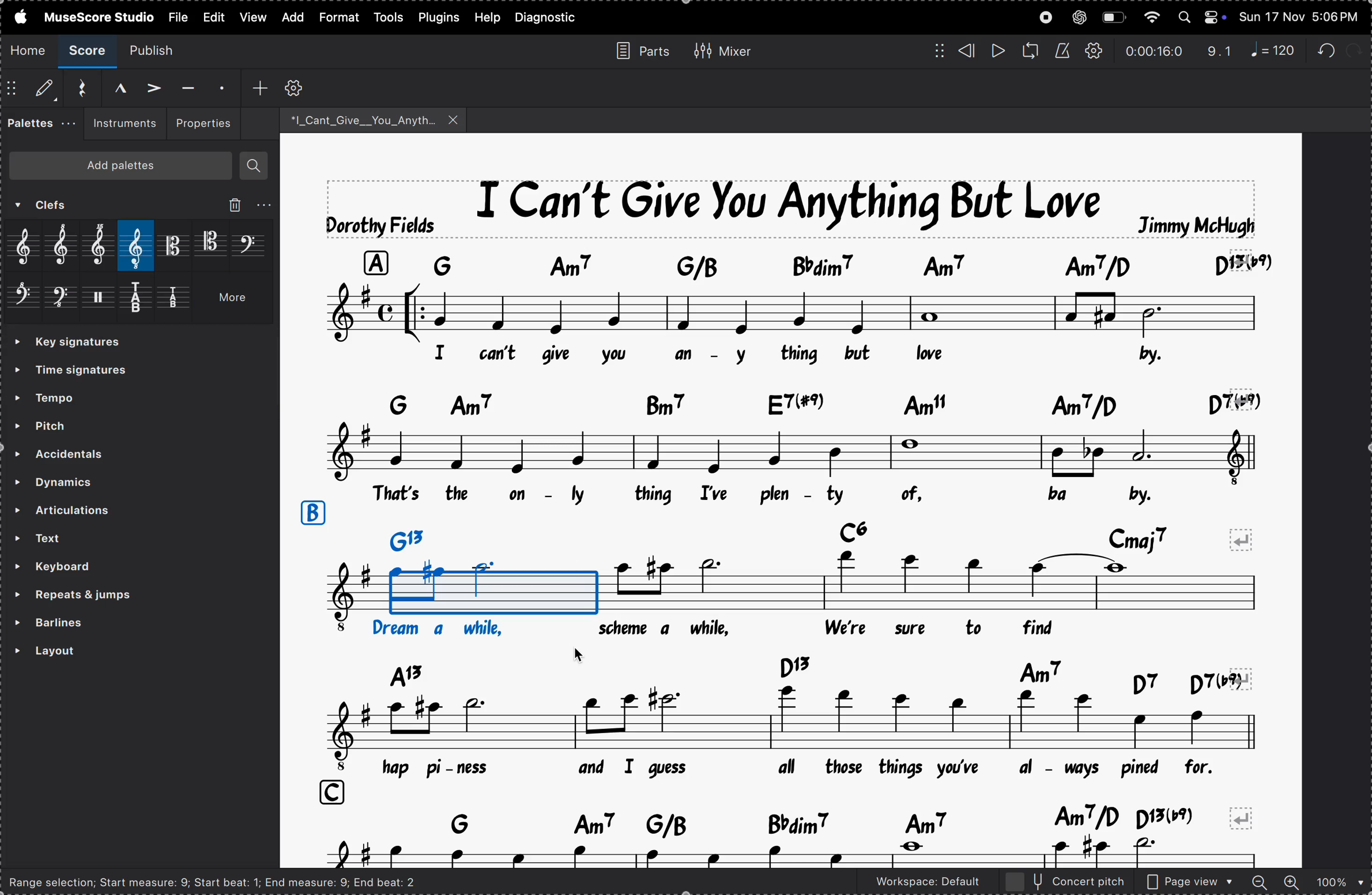  Describe the element at coordinates (138, 246) in the screenshot. I see `treble 8 a bassa` at that location.